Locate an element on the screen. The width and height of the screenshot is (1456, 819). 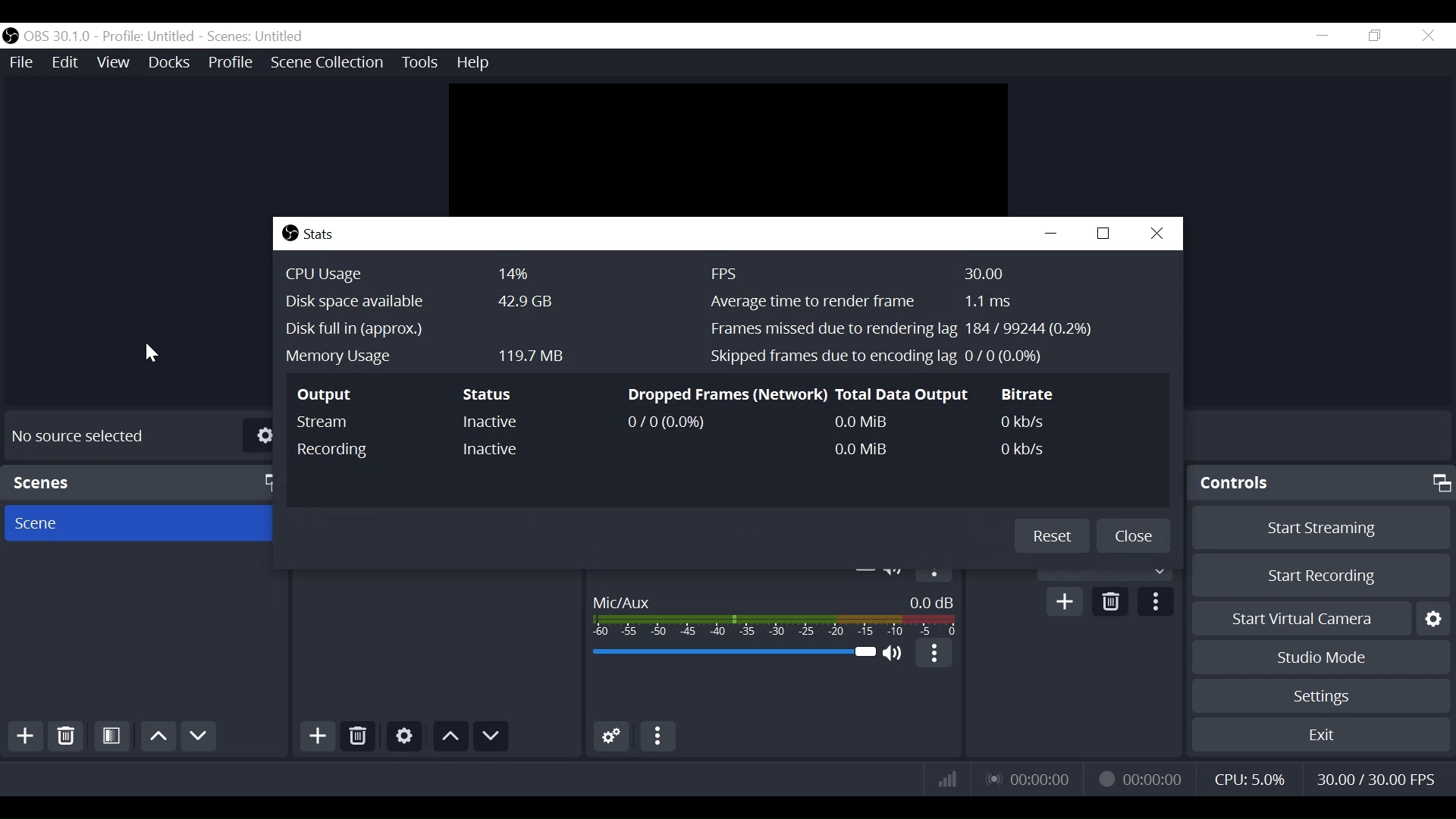
More Options is located at coordinates (657, 736).